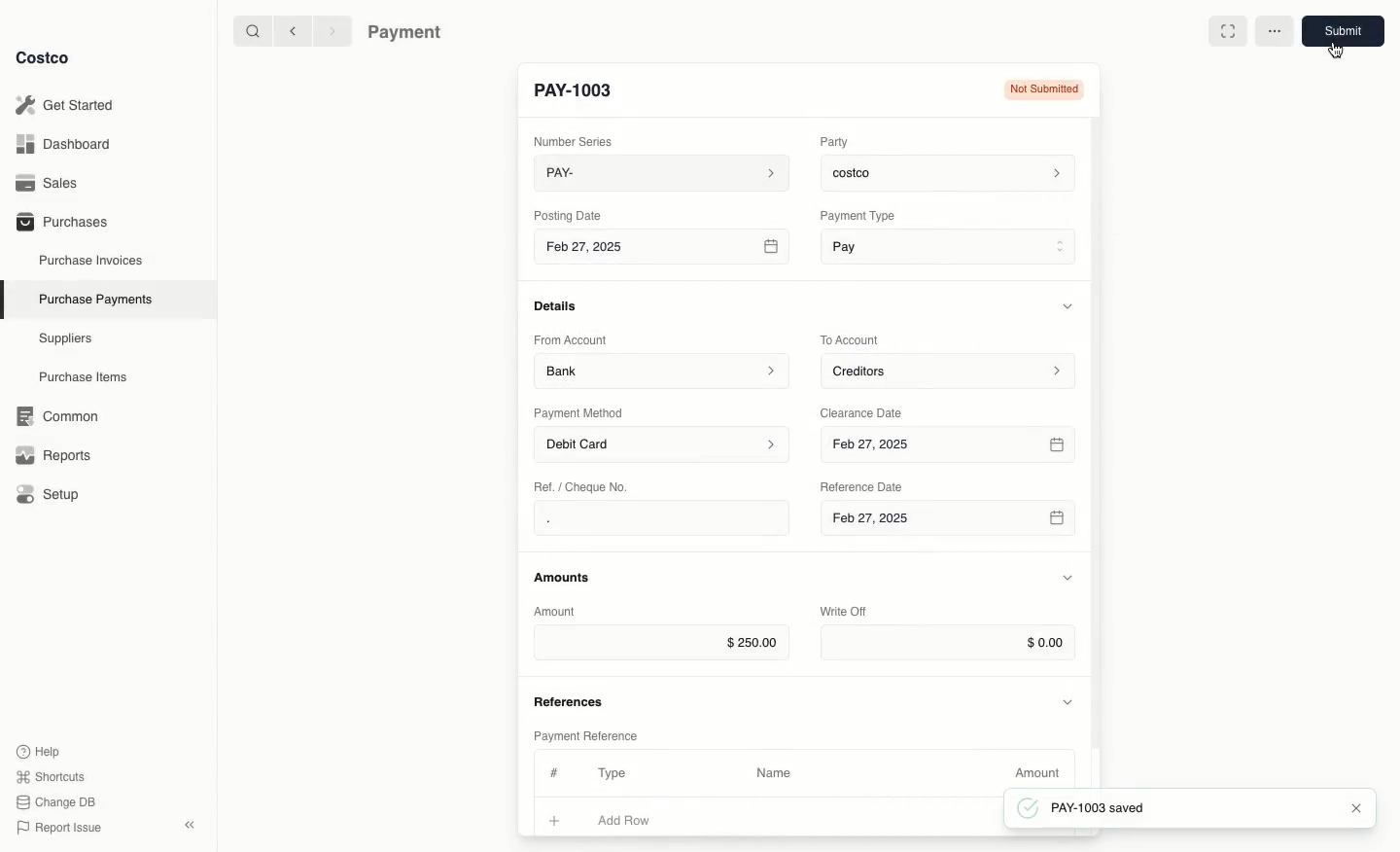 The height and width of the screenshot is (852, 1400). I want to click on Details, so click(561, 305).